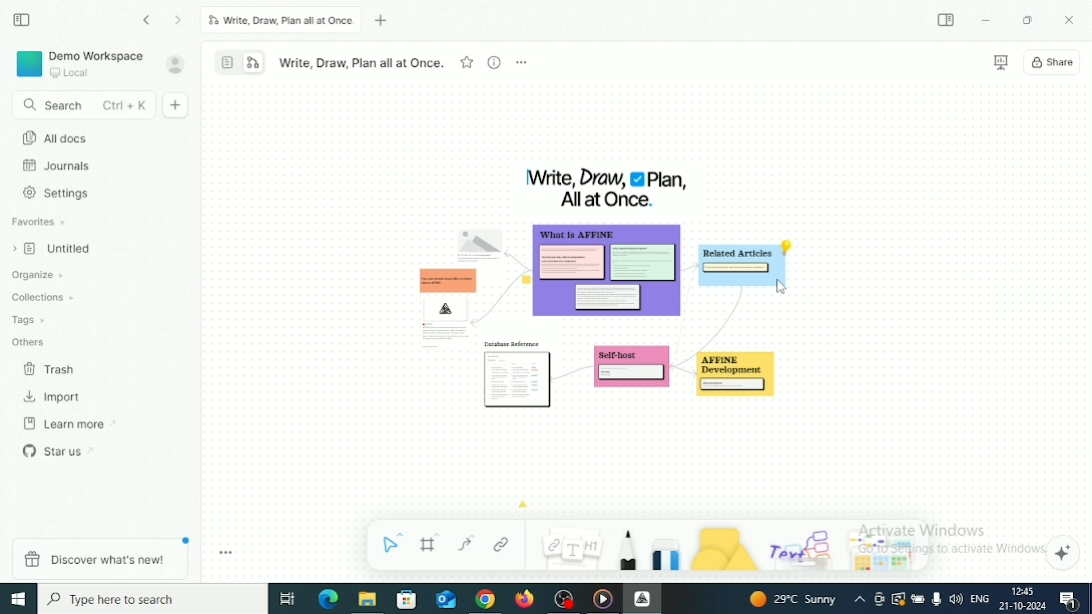 This screenshot has width=1092, height=614. Describe the element at coordinates (328, 598) in the screenshot. I see `Microsoft Edge` at that location.